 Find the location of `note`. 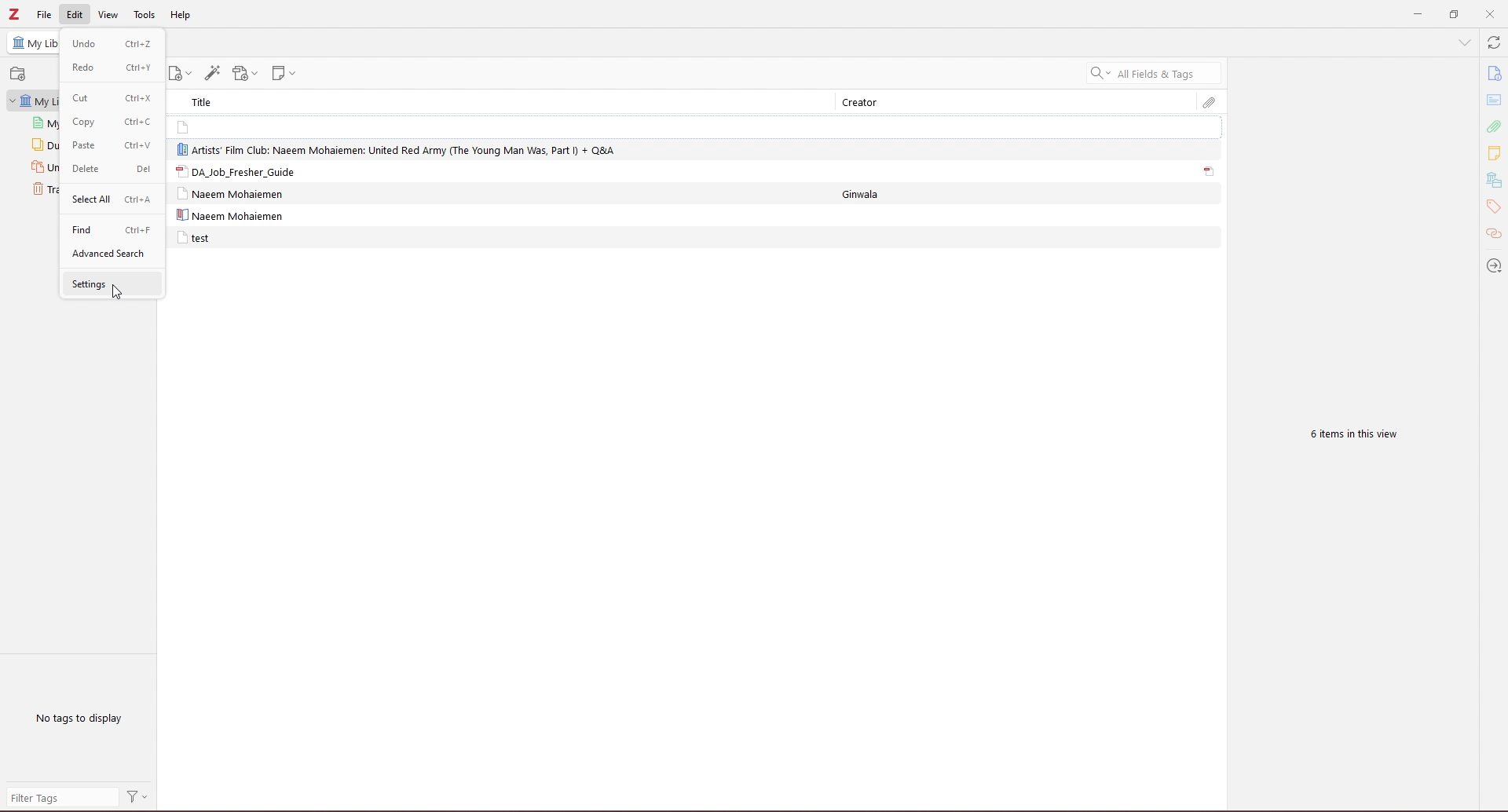

note is located at coordinates (227, 126).